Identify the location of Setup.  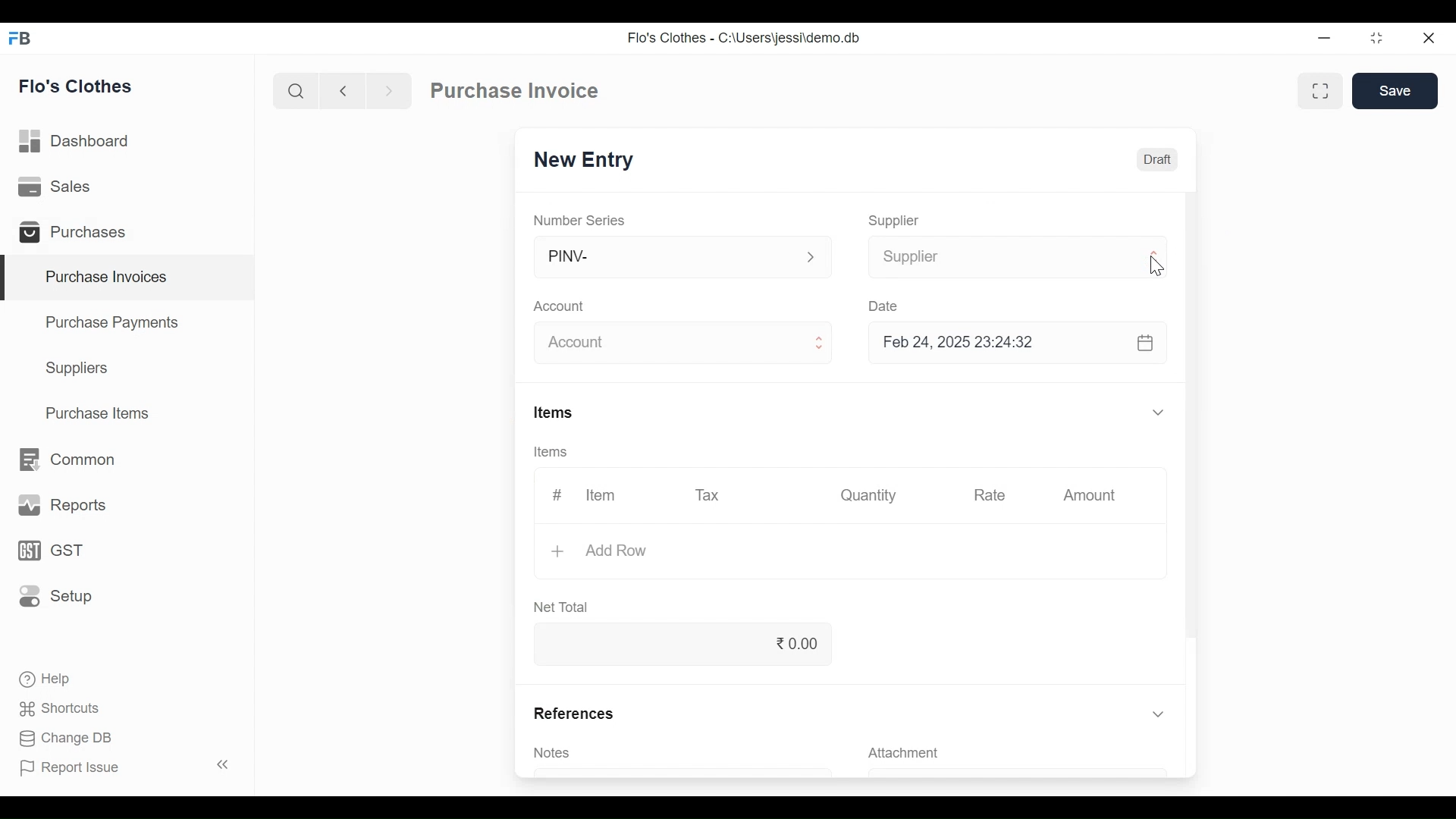
(52, 597).